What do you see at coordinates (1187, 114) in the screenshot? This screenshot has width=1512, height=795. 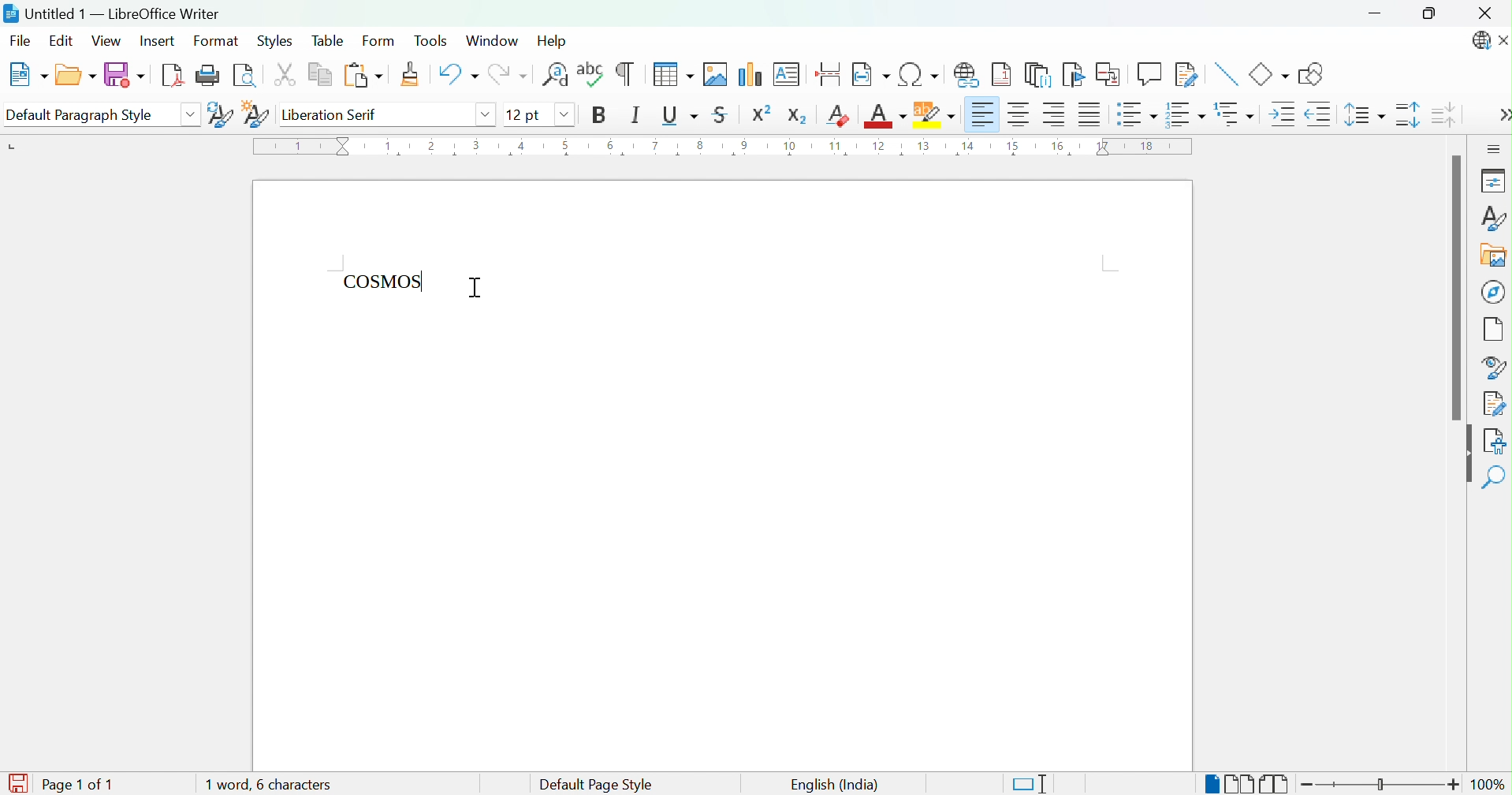 I see `Toggle ordered list` at bounding box center [1187, 114].